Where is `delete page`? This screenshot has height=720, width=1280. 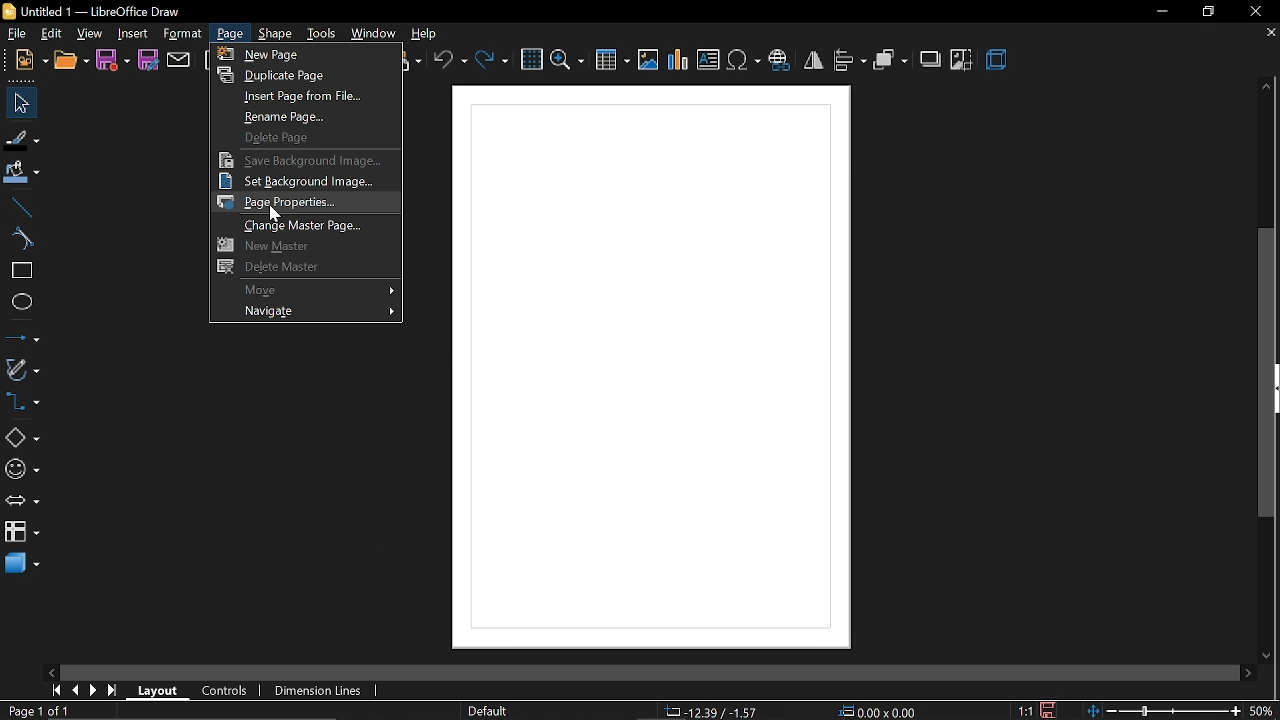 delete page is located at coordinates (302, 138).